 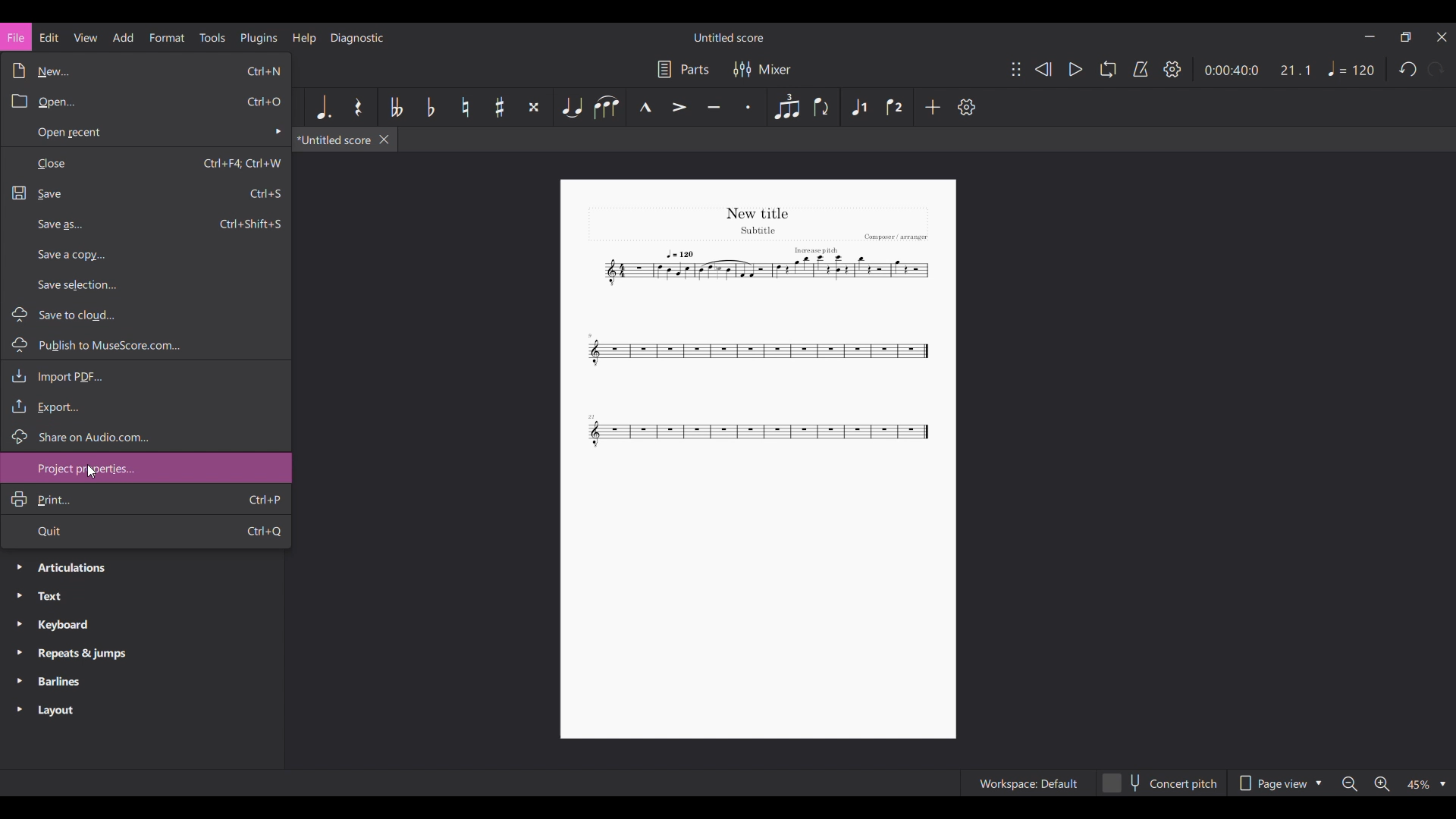 I want to click on Repeats & jumps, so click(x=143, y=654).